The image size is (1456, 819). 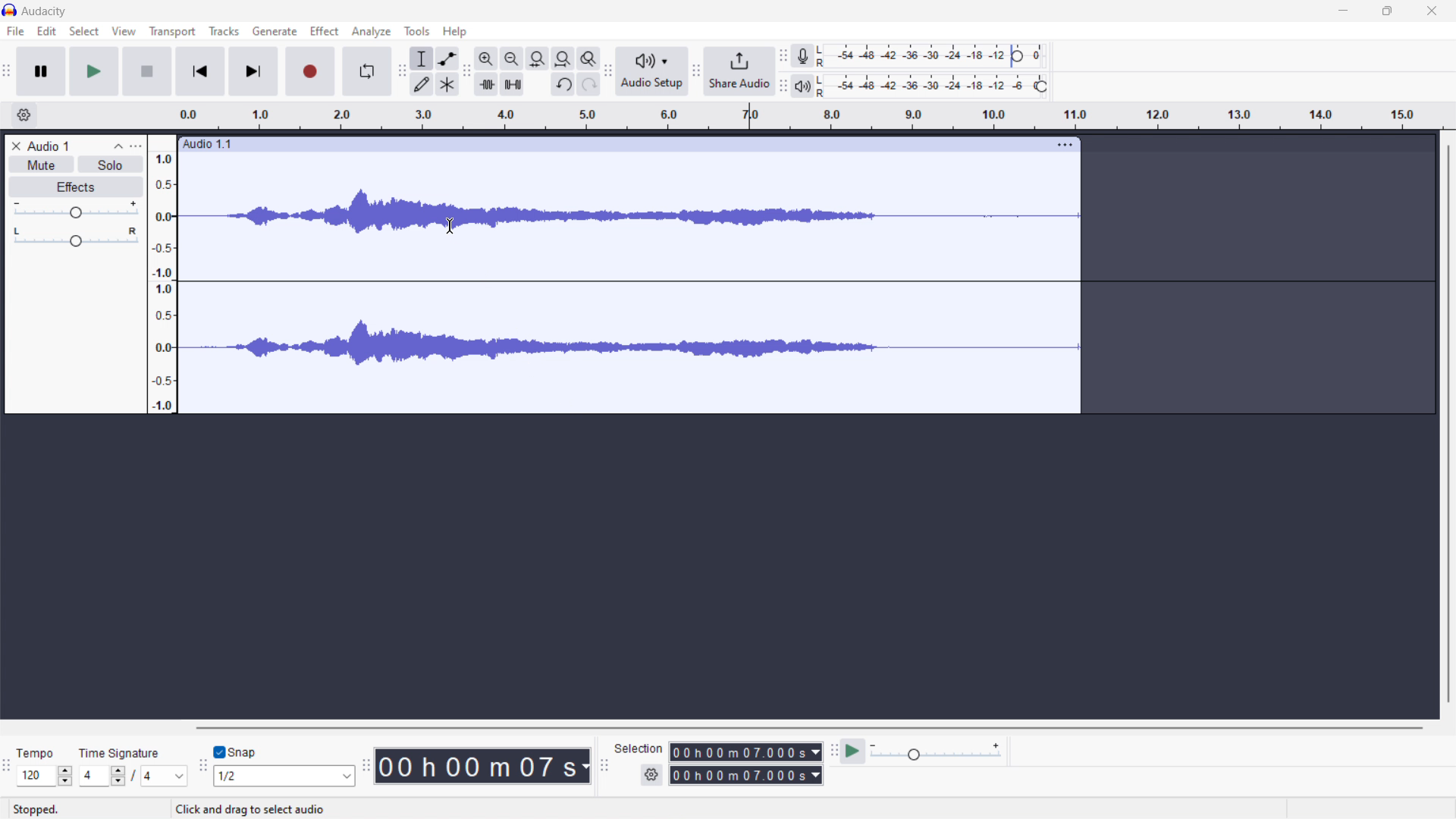 What do you see at coordinates (147, 71) in the screenshot?
I see `stop` at bounding box center [147, 71].